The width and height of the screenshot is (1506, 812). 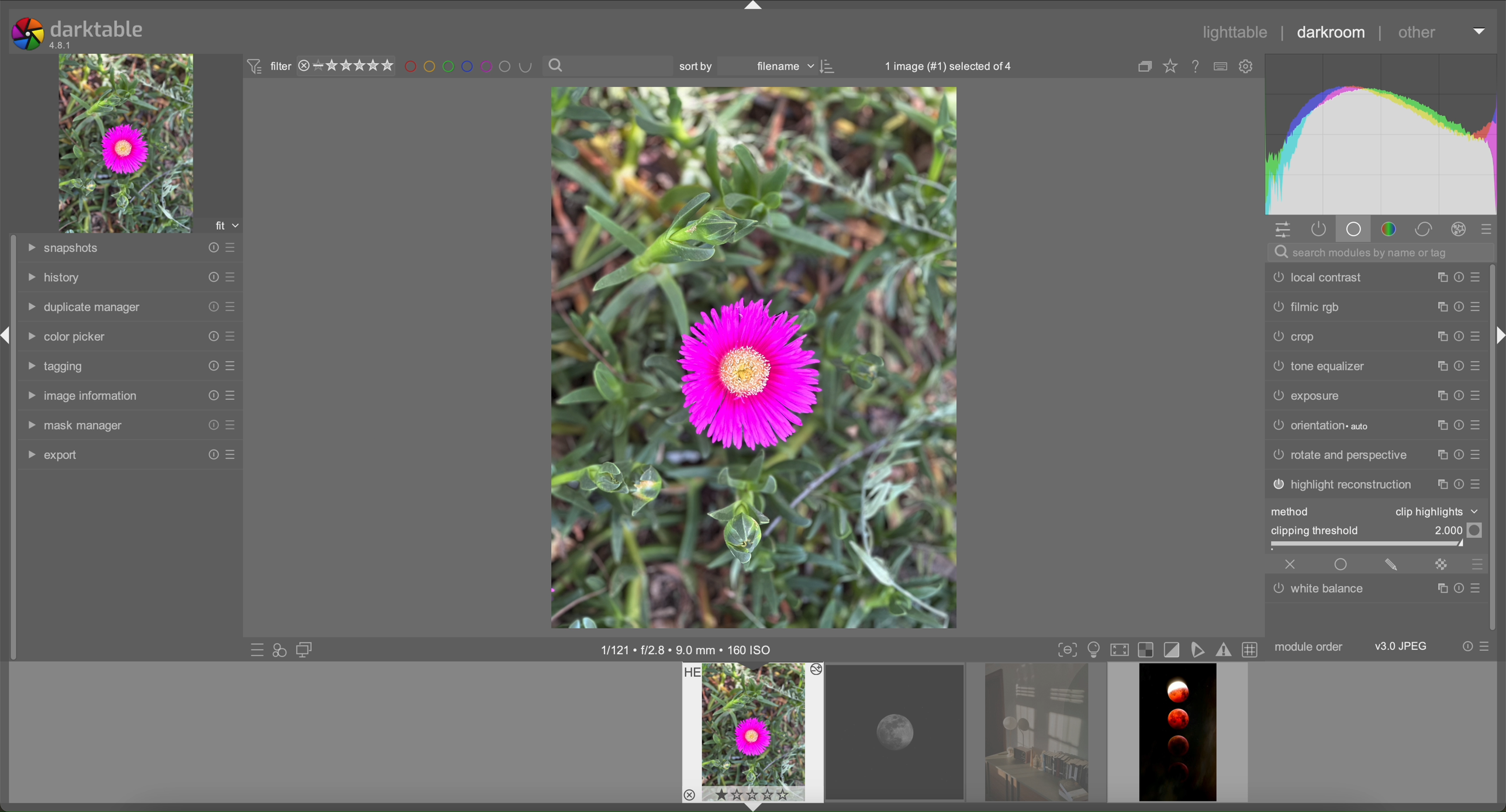 What do you see at coordinates (1439, 424) in the screenshot?
I see `copy` at bounding box center [1439, 424].